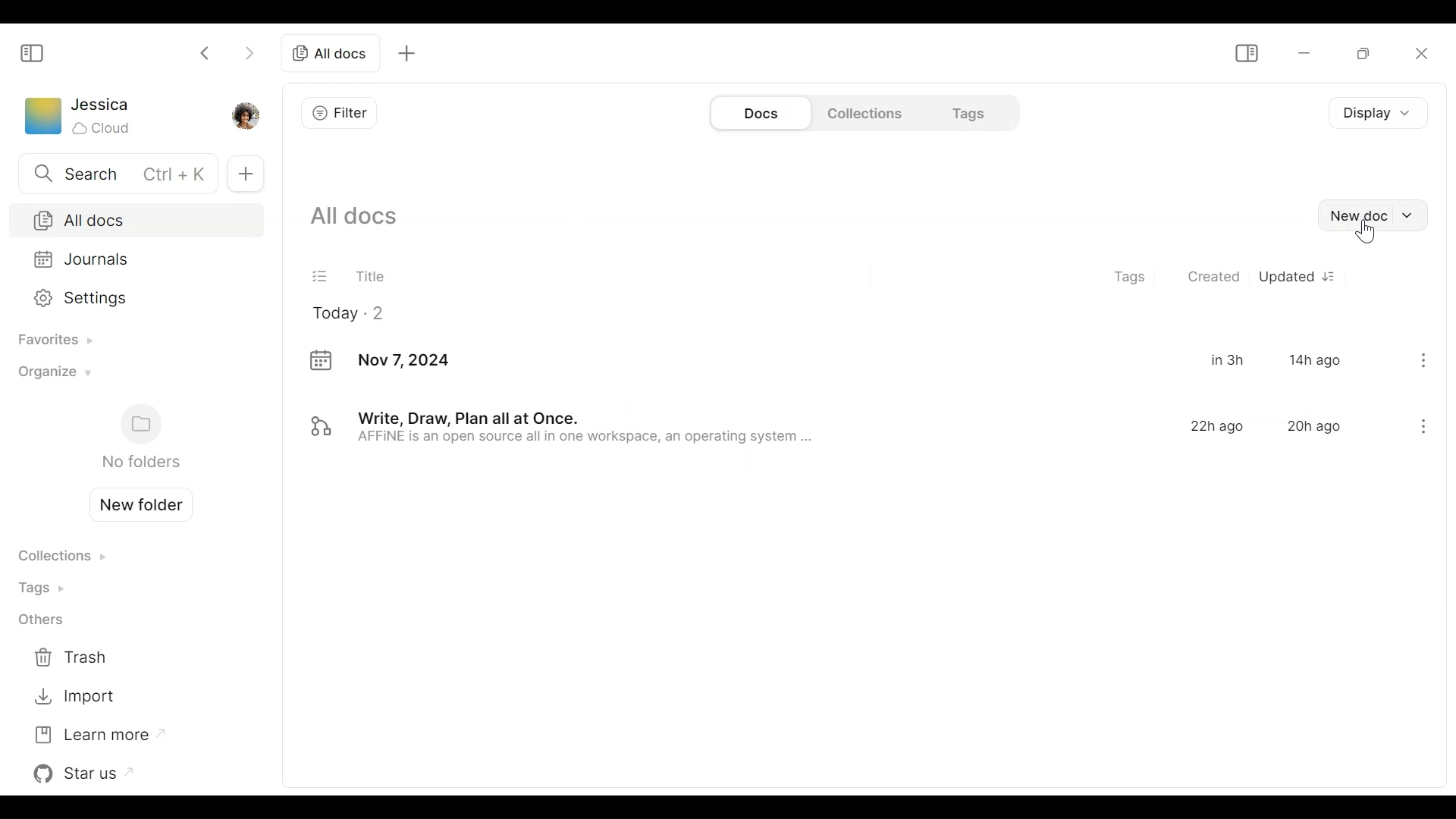 This screenshot has height=819, width=1456. Describe the element at coordinates (206, 52) in the screenshot. I see `Click to go back` at that location.